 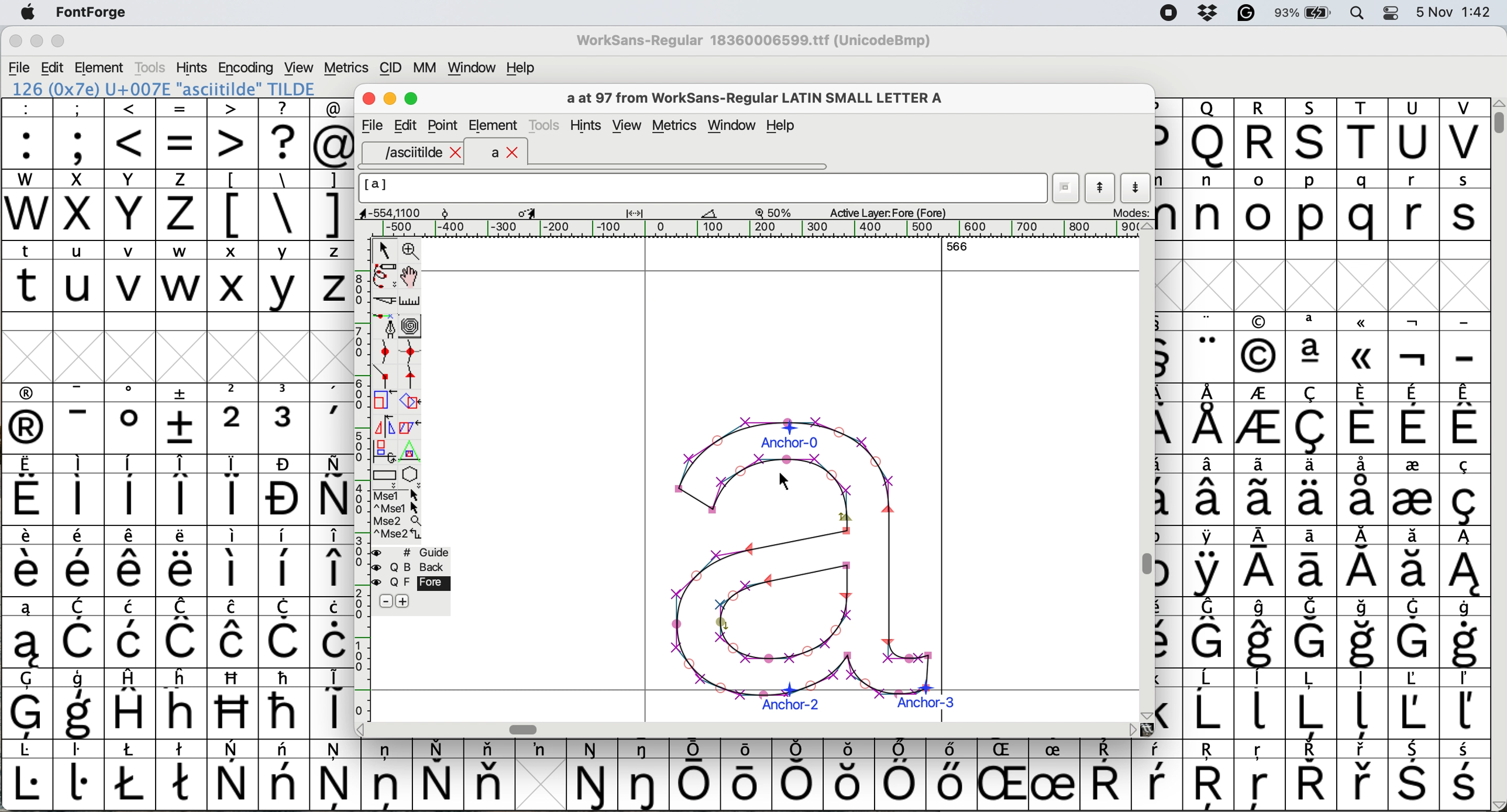 I want to click on symbol, so click(x=234, y=776).